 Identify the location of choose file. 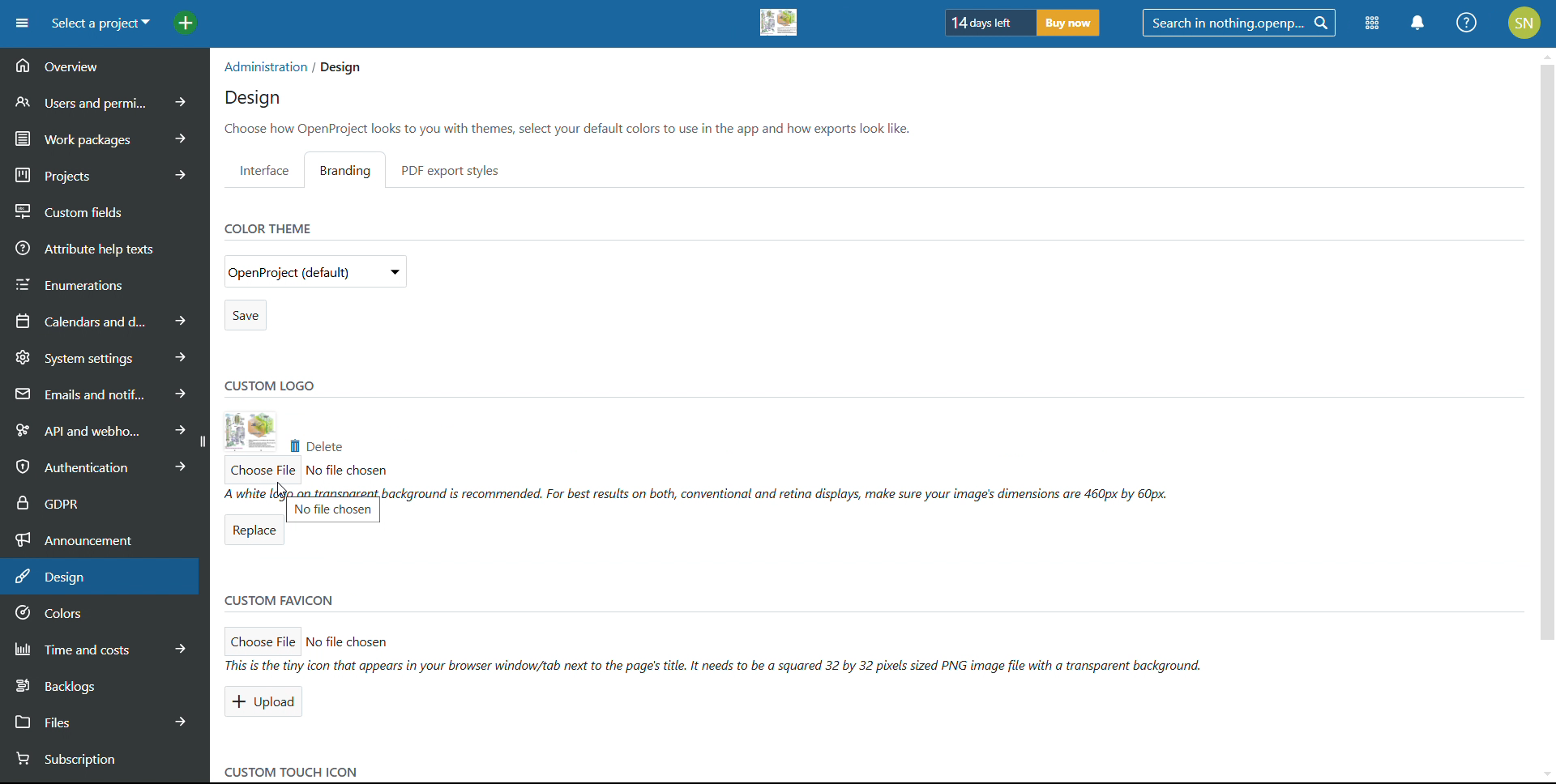
(259, 471).